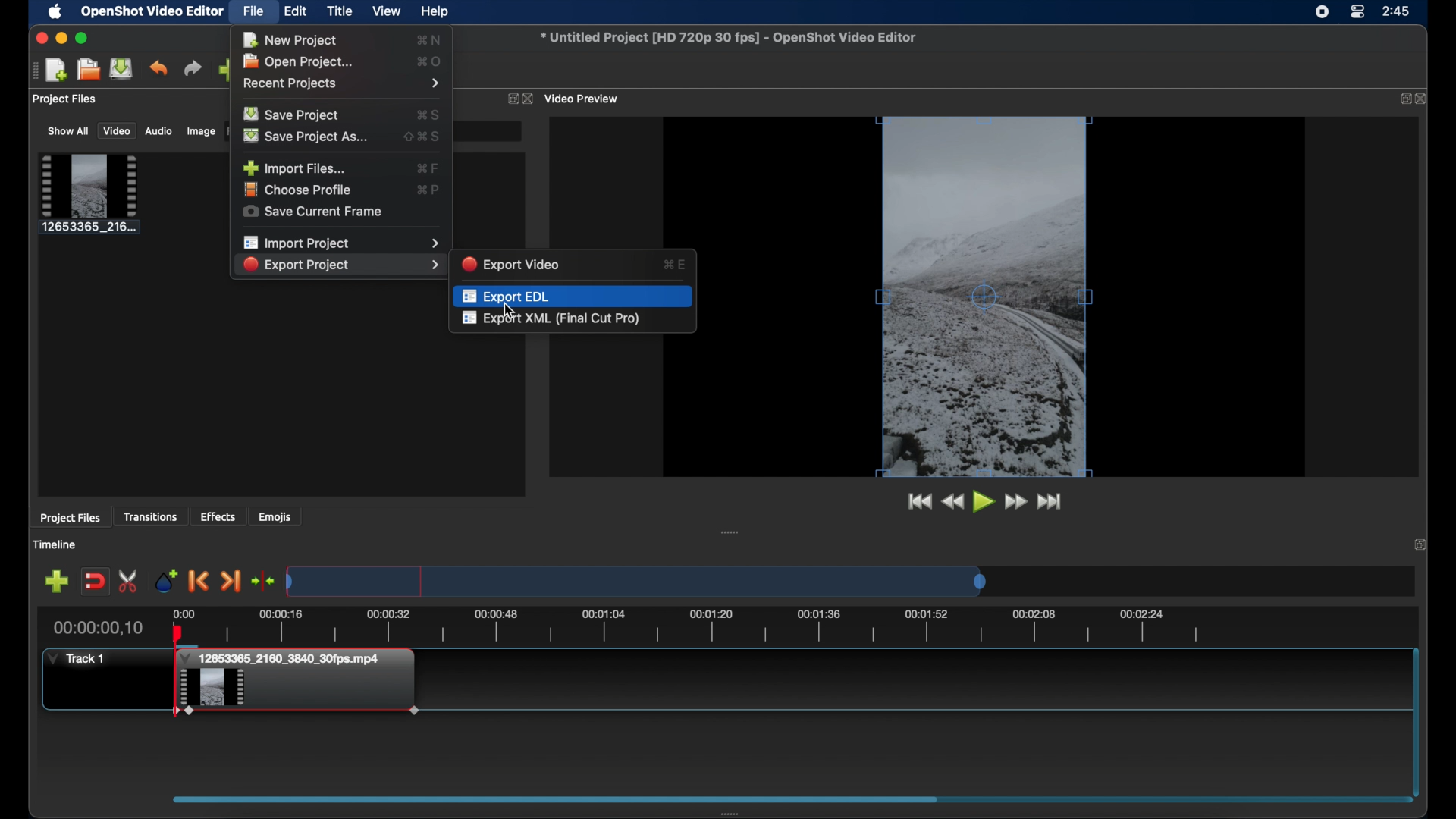  Describe the element at coordinates (340, 265) in the screenshot. I see `export video menu` at that location.